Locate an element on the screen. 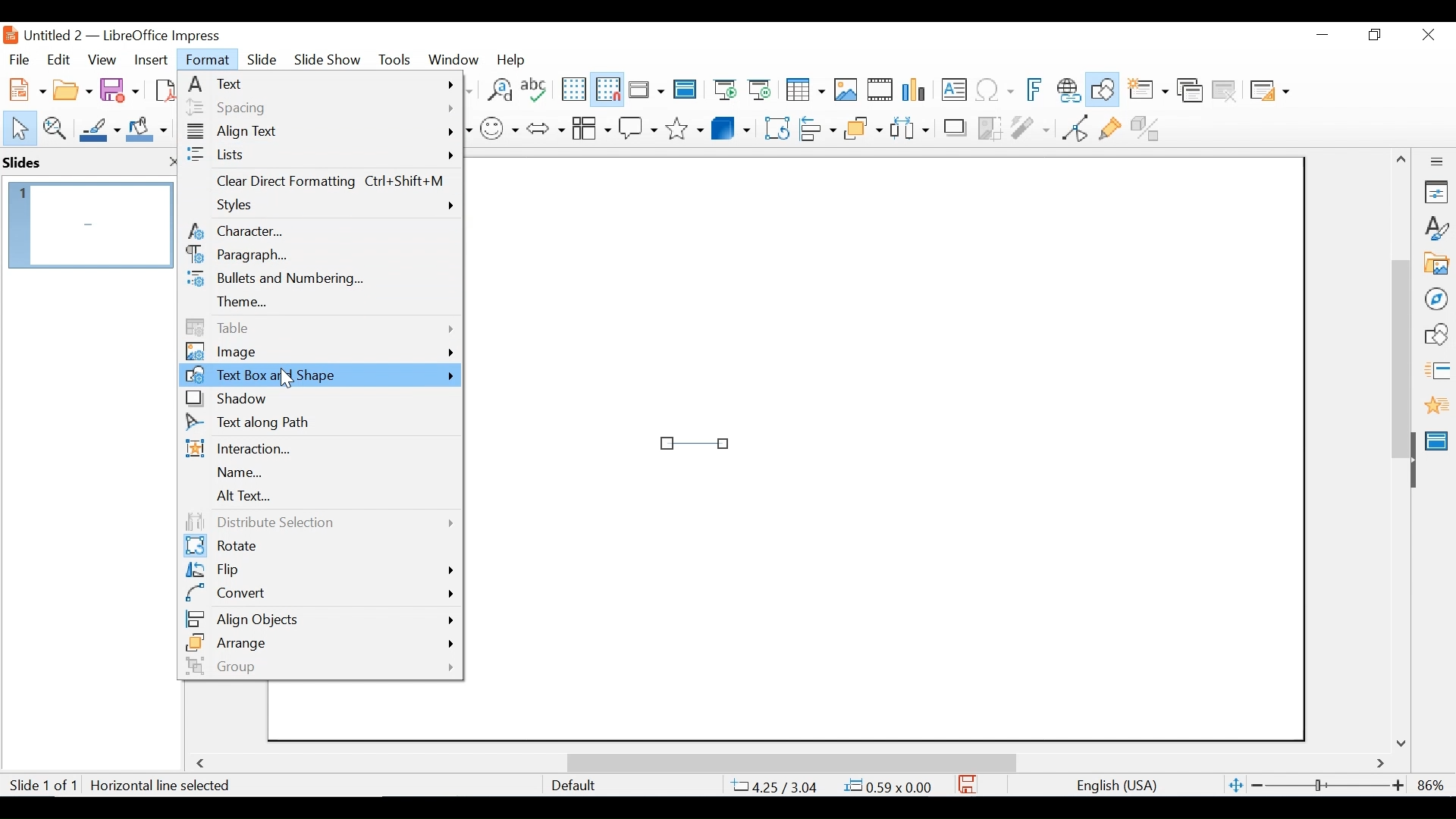 The height and width of the screenshot is (819, 1456). Scroll Right is located at coordinates (1381, 764).